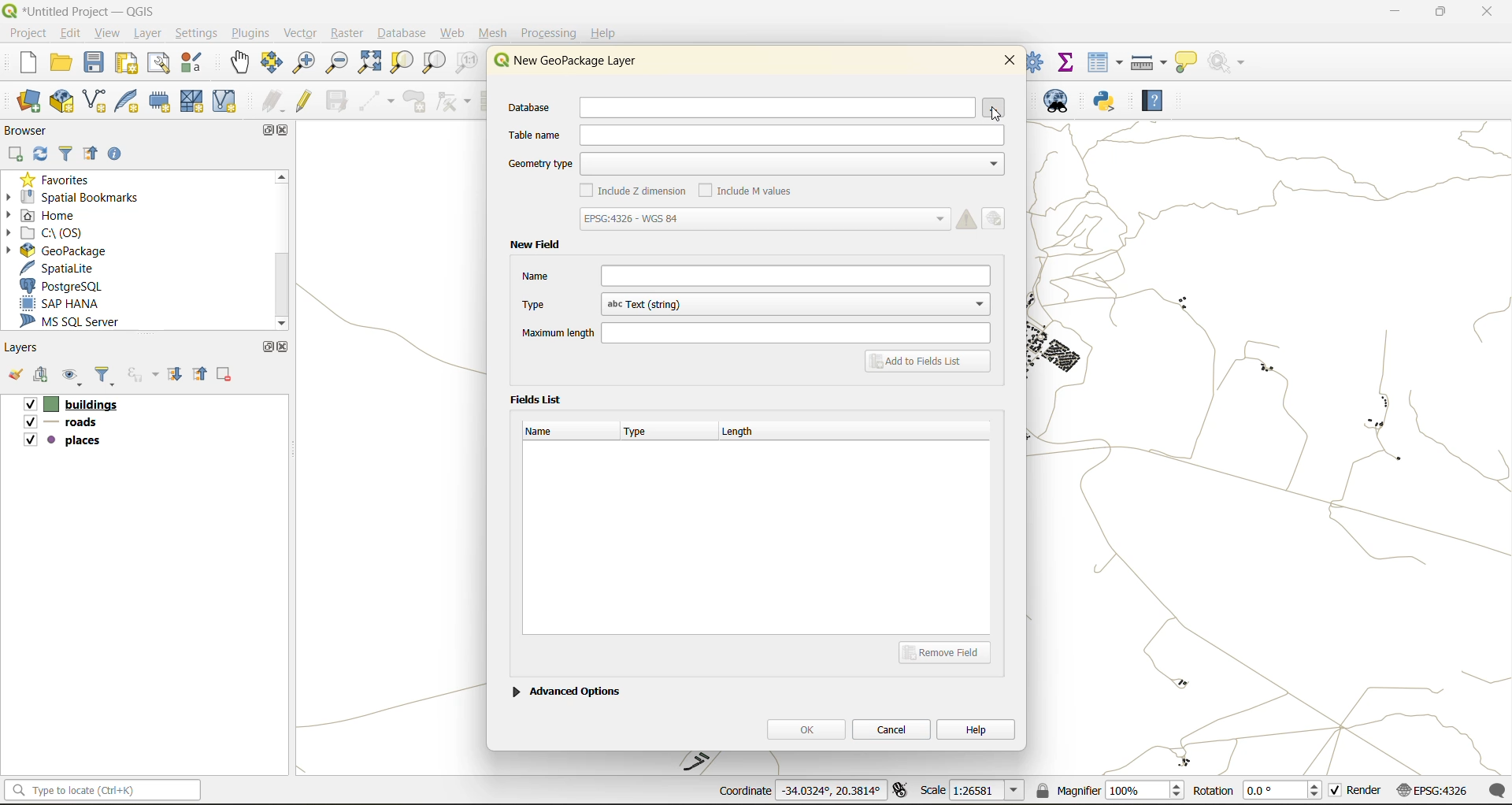  Describe the element at coordinates (754, 332) in the screenshot. I see `maximum length` at that location.